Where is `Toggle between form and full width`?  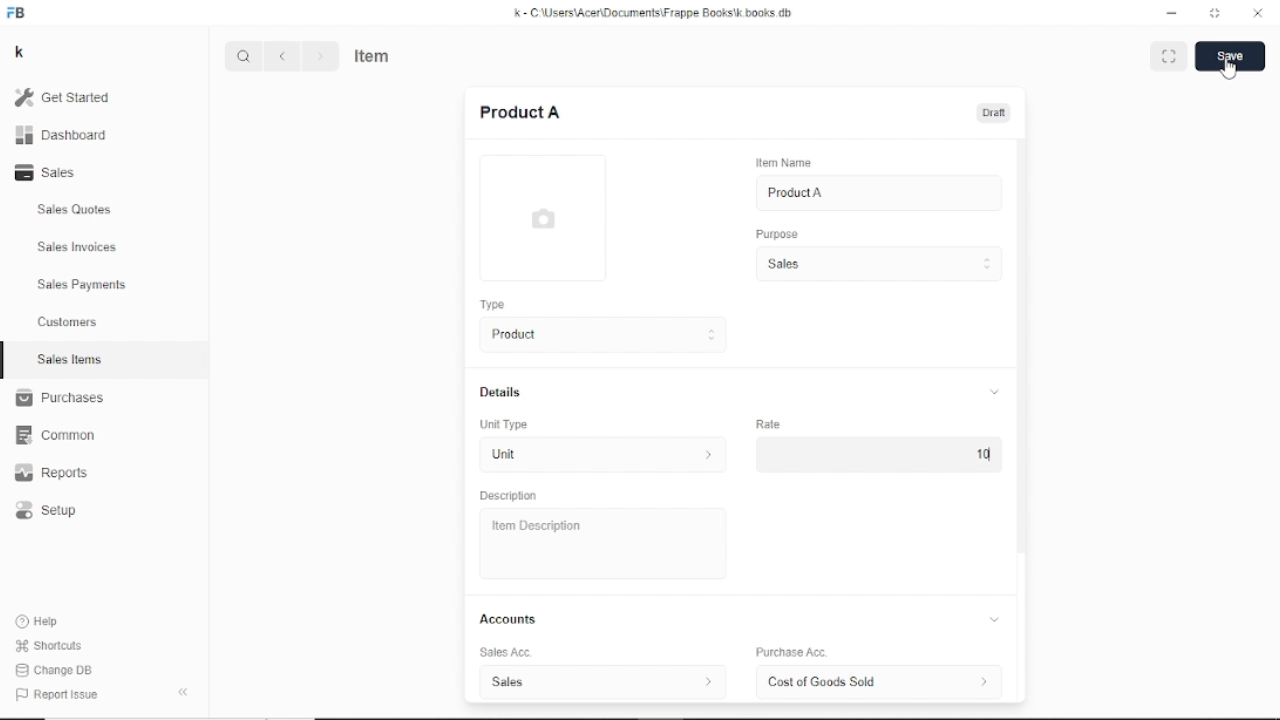 Toggle between form and full width is located at coordinates (1169, 56).